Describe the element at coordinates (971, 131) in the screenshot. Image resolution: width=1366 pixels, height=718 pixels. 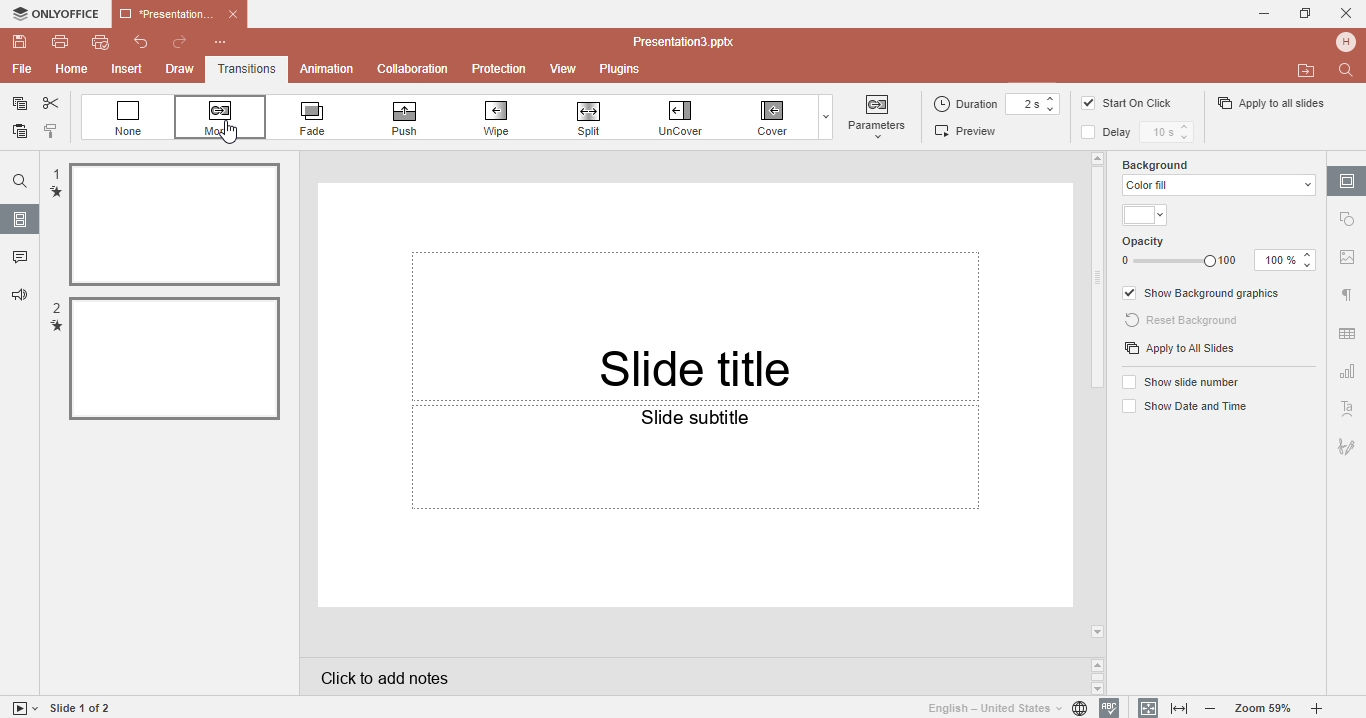
I see `Preview` at that location.